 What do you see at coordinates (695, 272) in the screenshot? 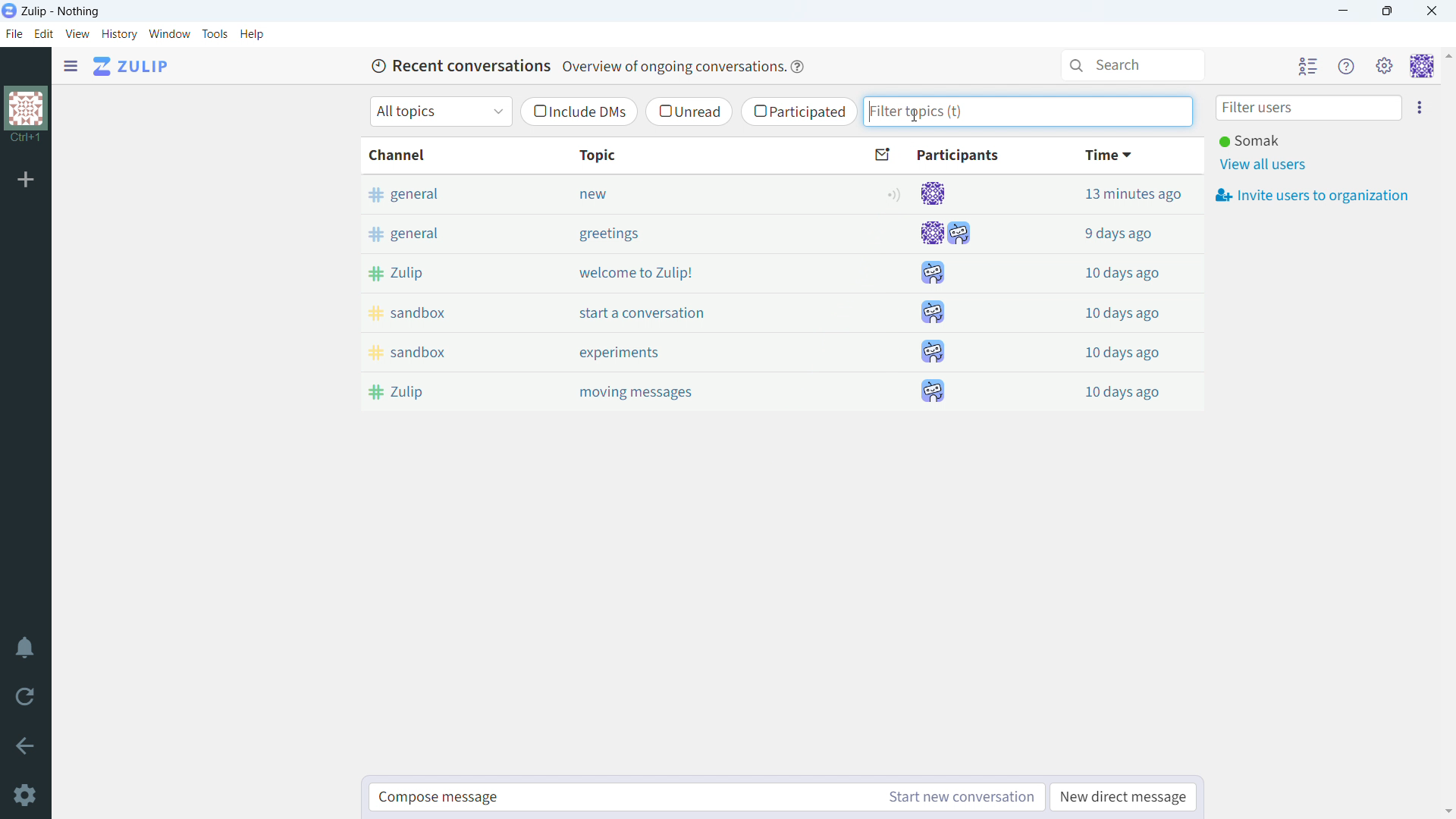
I see `welcome to zulip` at bounding box center [695, 272].